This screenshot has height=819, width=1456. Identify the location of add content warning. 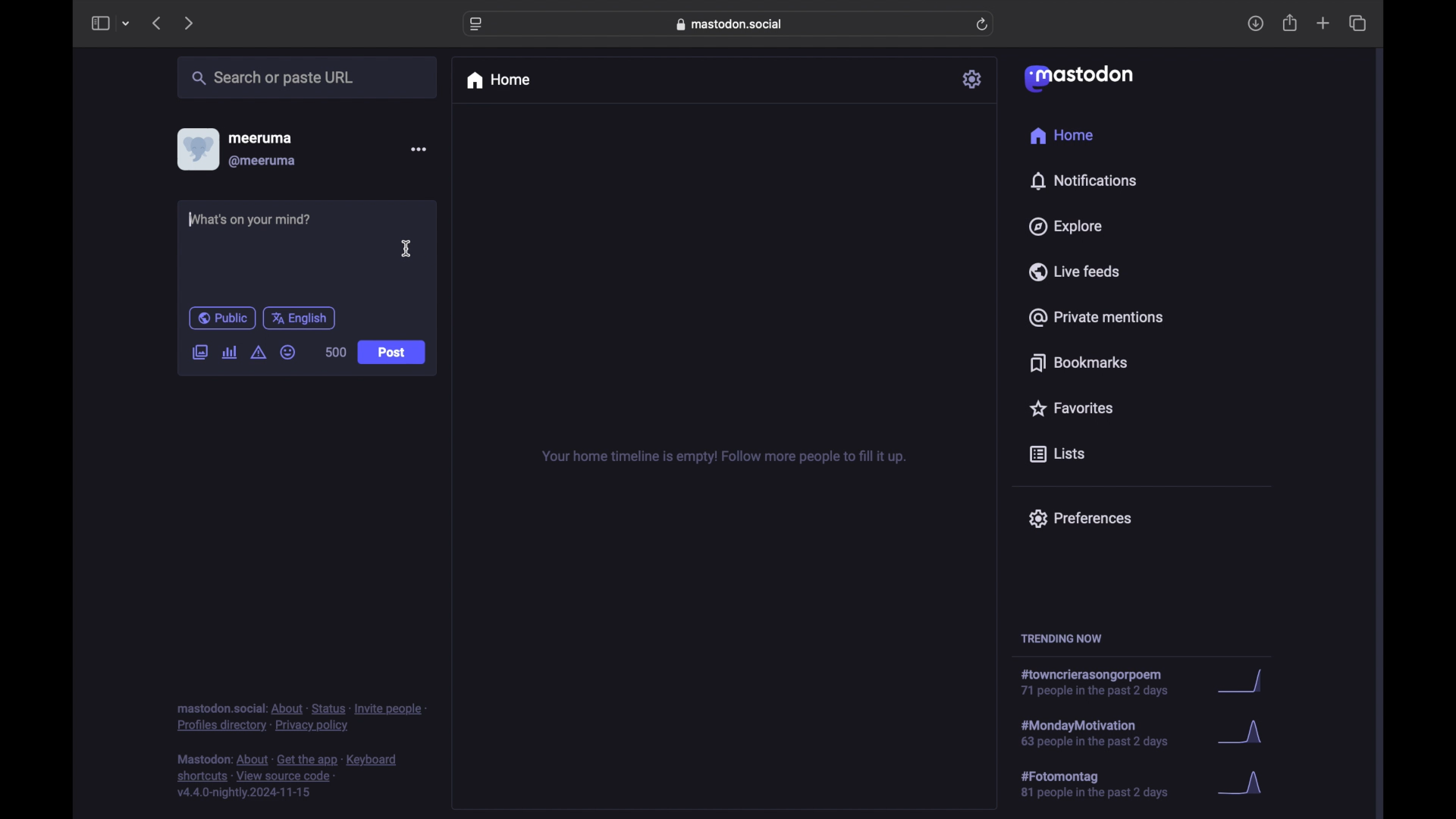
(260, 353).